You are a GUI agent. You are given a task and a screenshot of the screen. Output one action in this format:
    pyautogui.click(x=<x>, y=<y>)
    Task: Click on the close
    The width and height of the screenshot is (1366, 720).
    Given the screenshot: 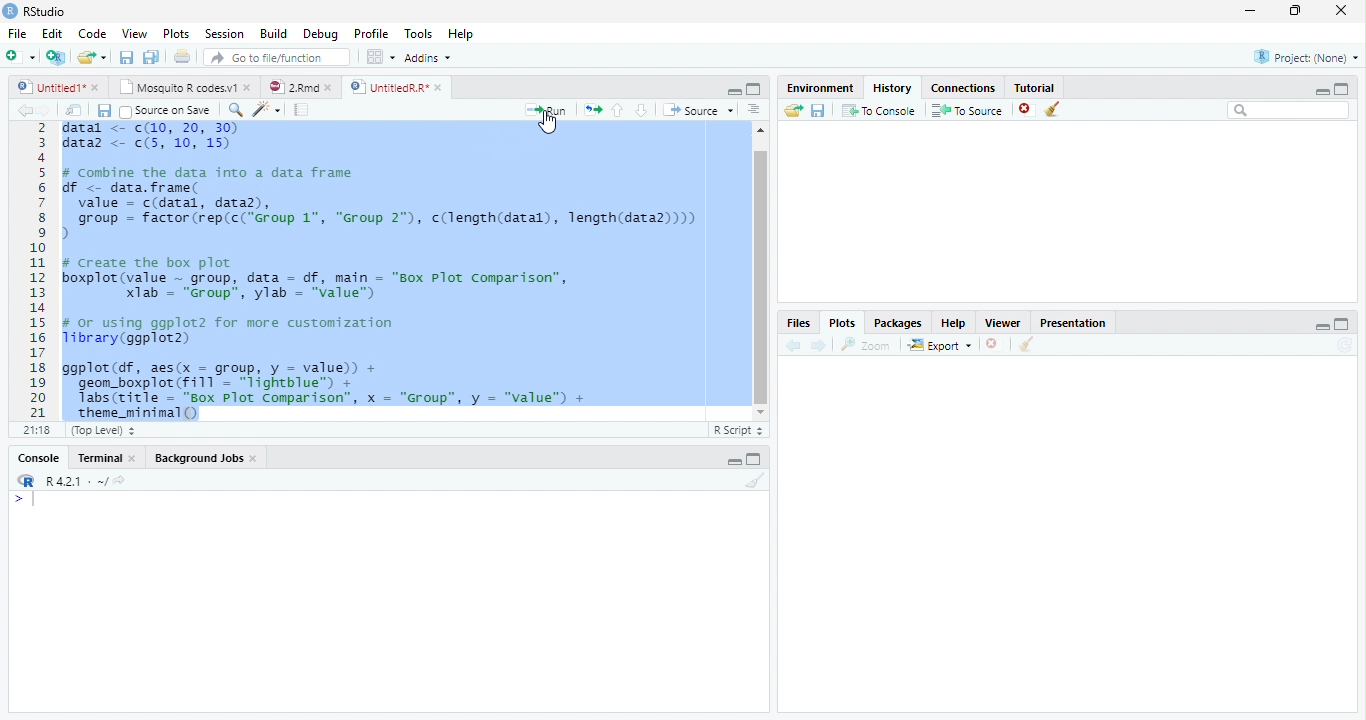 What is the action you would take?
    pyautogui.click(x=248, y=87)
    